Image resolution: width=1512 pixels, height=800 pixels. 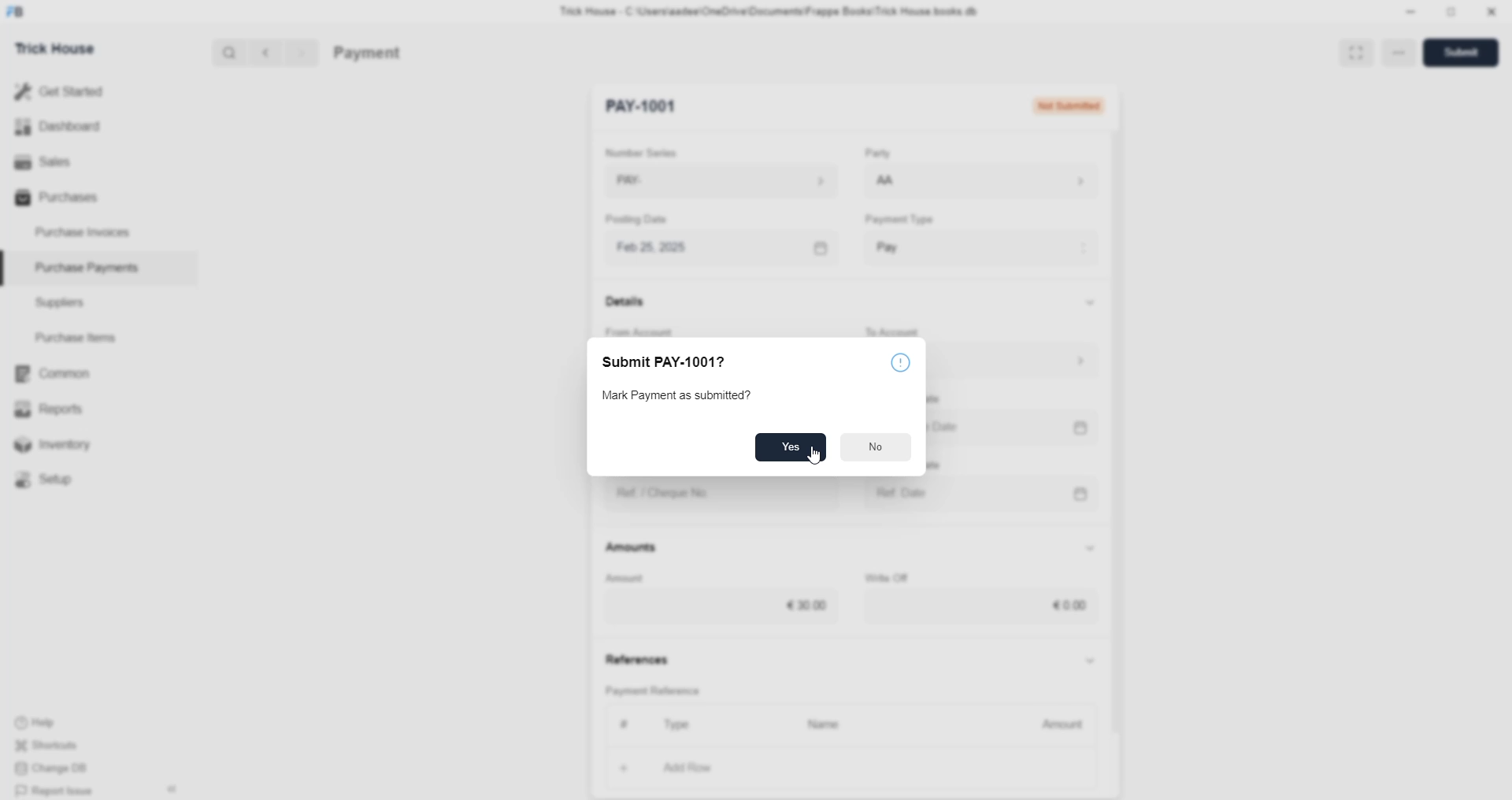 I want to click on Purchase Invoice, so click(x=406, y=53).